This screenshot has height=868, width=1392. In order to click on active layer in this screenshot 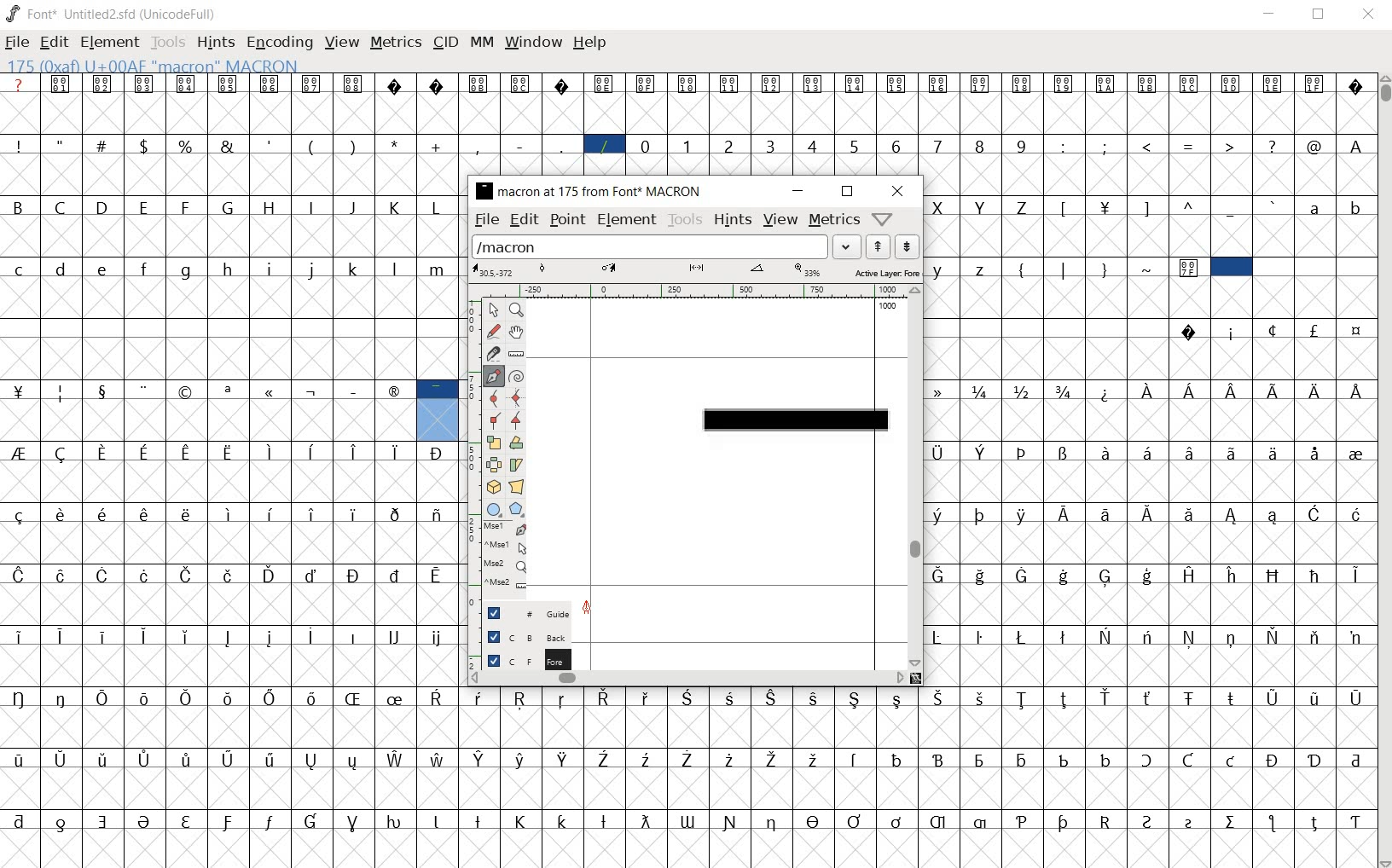, I will do `click(695, 270)`.